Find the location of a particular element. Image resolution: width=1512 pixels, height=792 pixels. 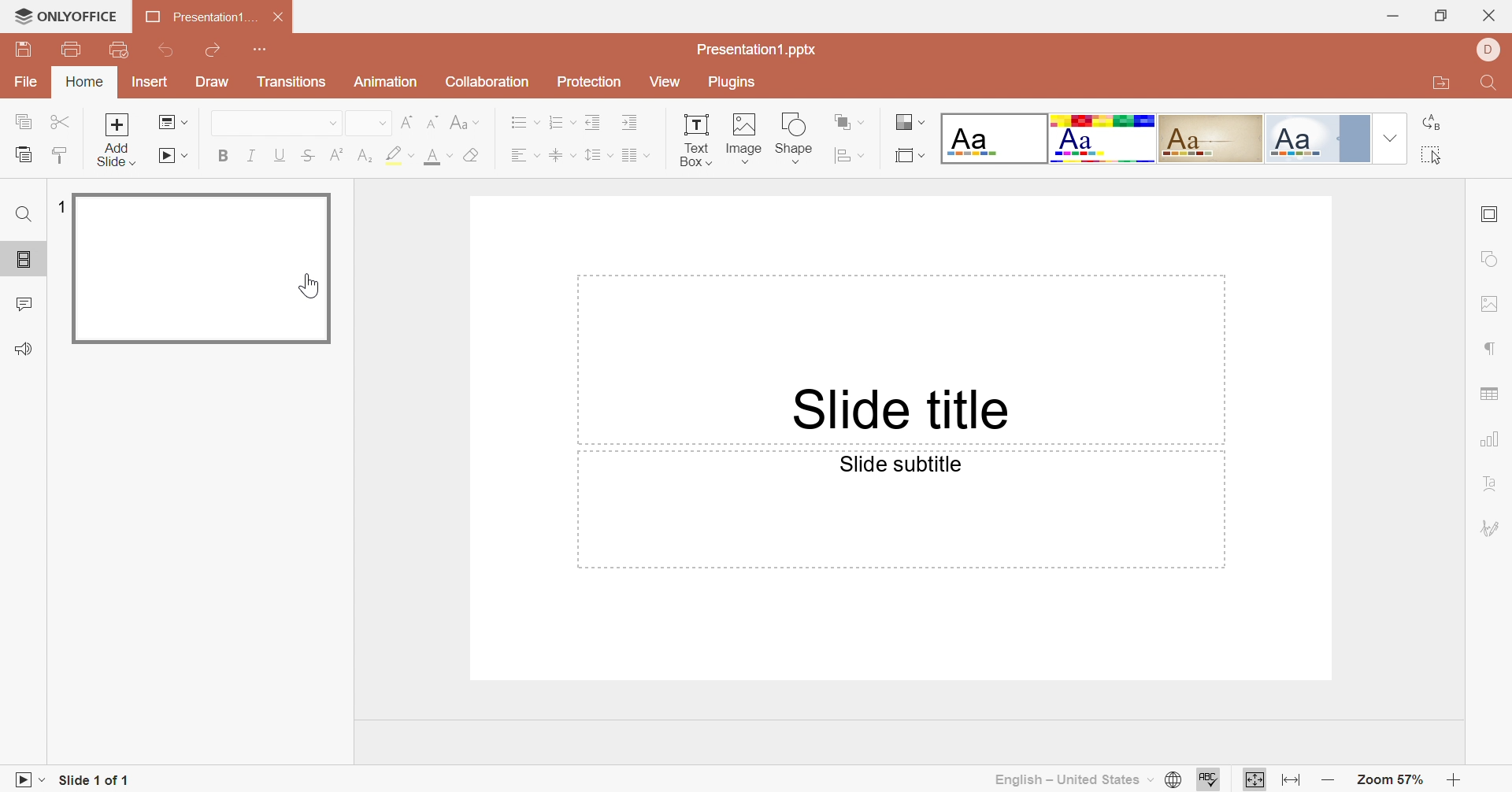

Minimize is located at coordinates (1390, 16).